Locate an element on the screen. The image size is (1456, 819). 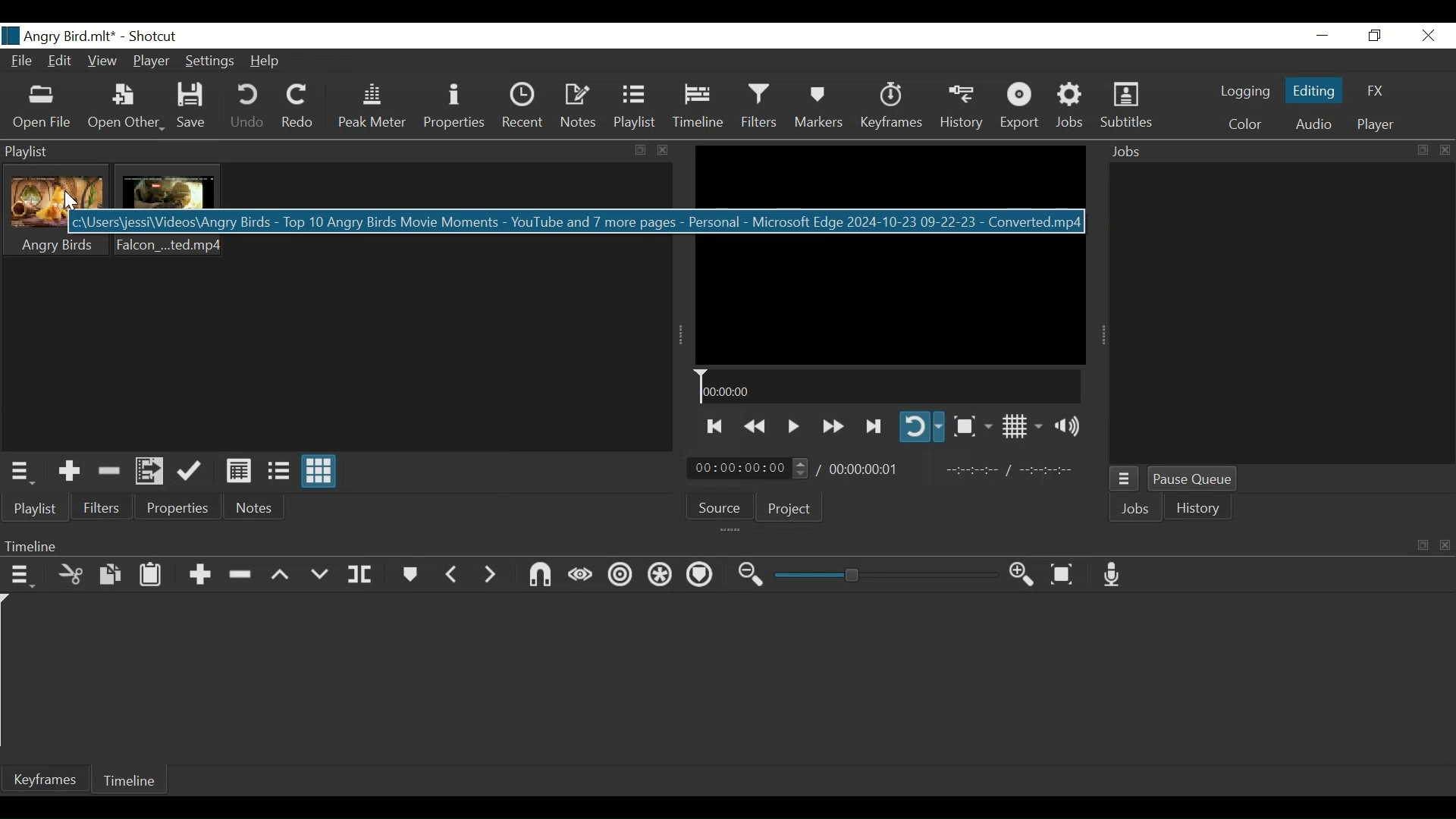
Ripple all tracks is located at coordinates (659, 576).